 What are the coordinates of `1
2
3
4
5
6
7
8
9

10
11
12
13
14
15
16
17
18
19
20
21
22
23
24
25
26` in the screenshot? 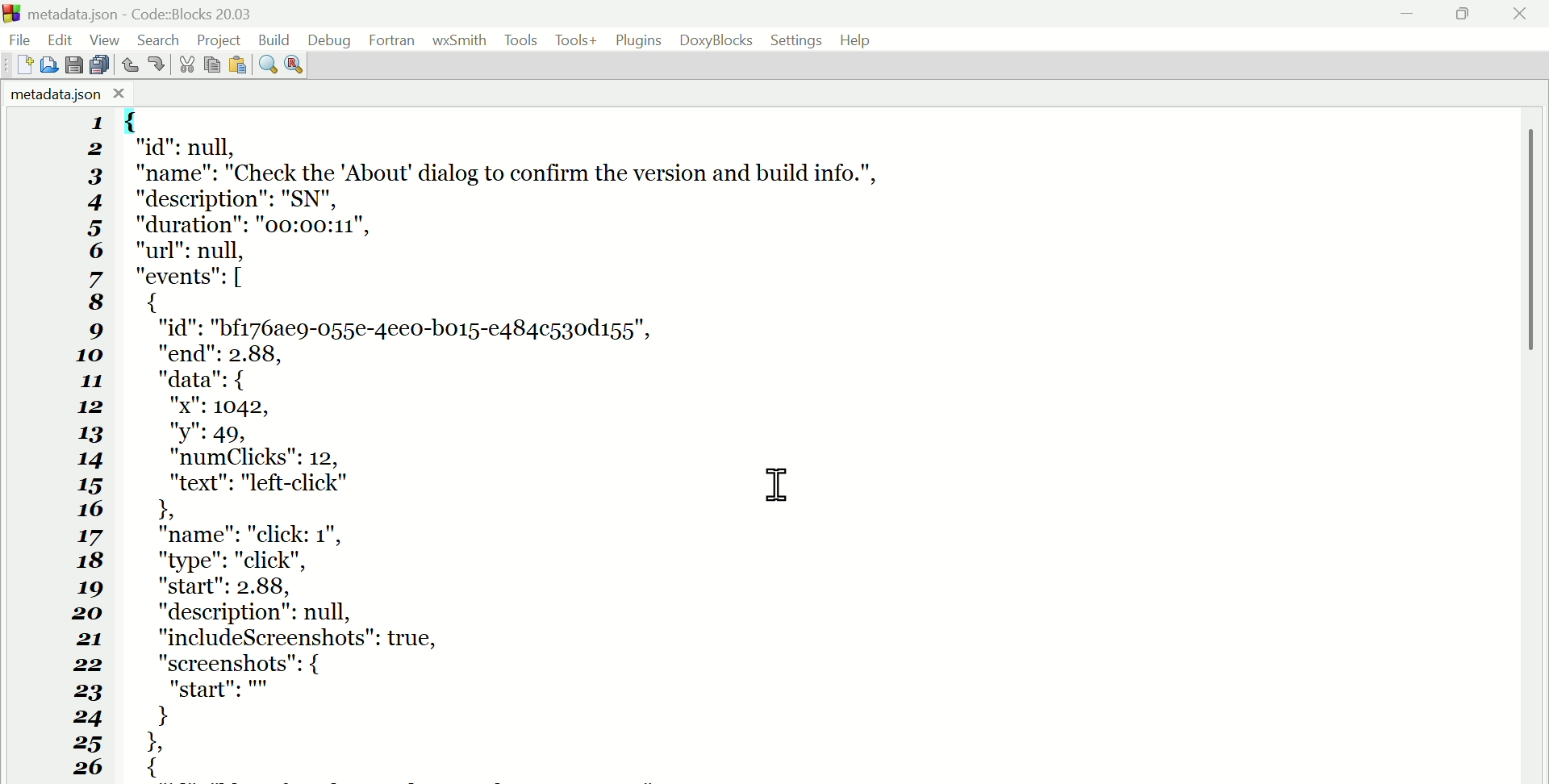 It's located at (88, 448).